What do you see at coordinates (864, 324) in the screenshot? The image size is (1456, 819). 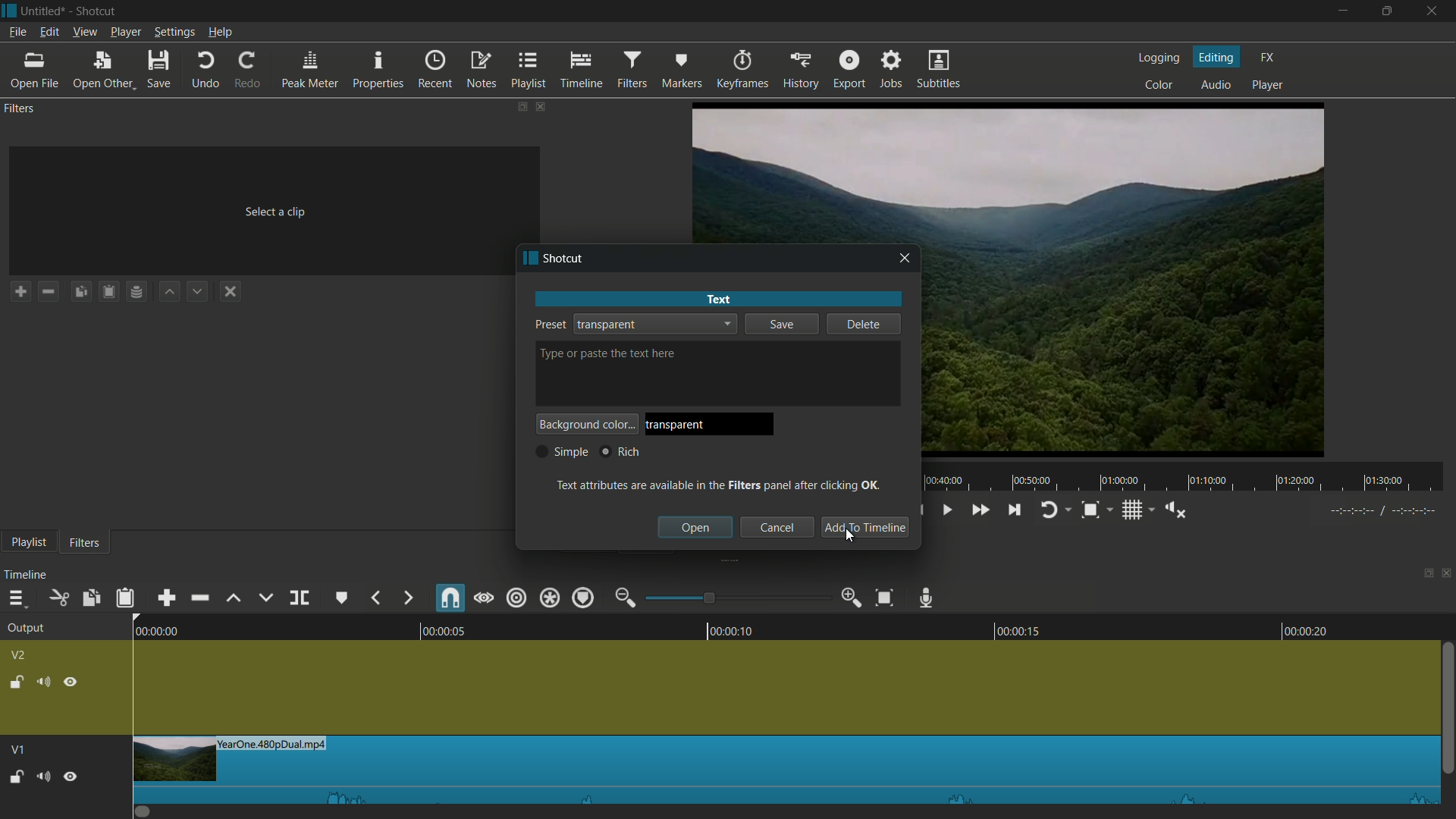 I see `delete` at bounding box center [864, 324].